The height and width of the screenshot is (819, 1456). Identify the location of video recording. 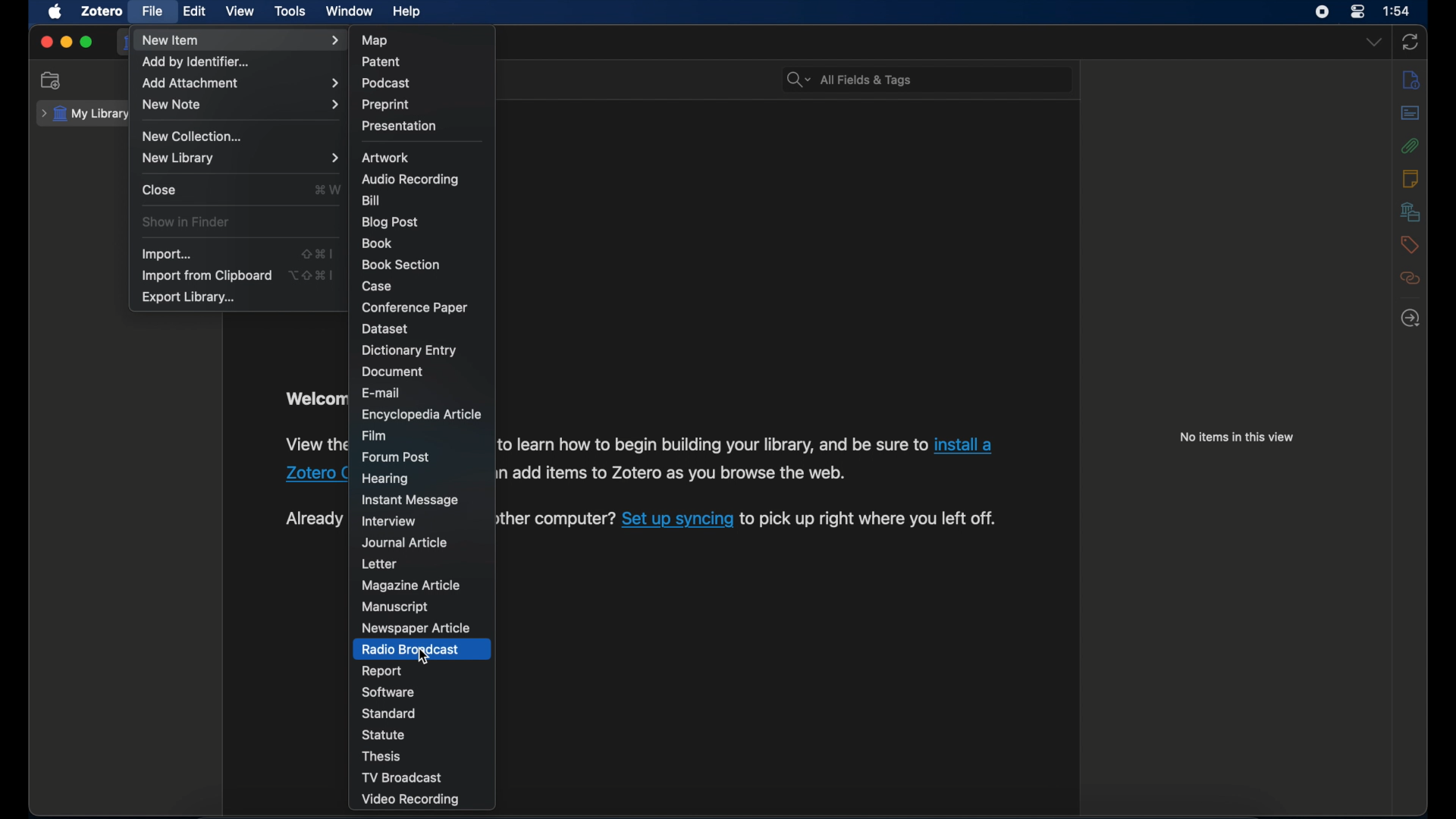
(411, 800).